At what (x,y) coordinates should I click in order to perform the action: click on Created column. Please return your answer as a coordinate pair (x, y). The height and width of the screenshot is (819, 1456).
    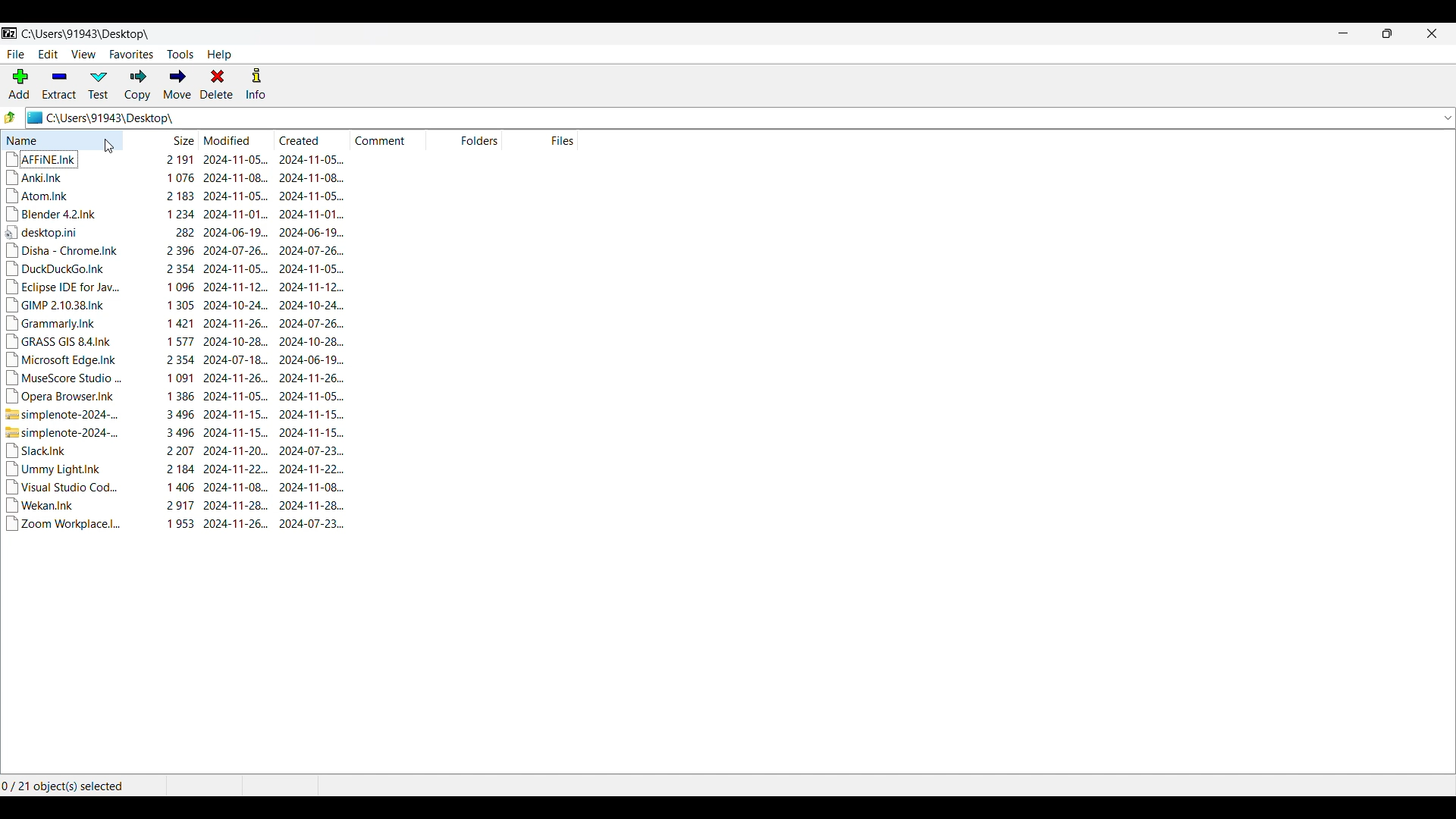
    Looking at the image, I should click on (305, 140).